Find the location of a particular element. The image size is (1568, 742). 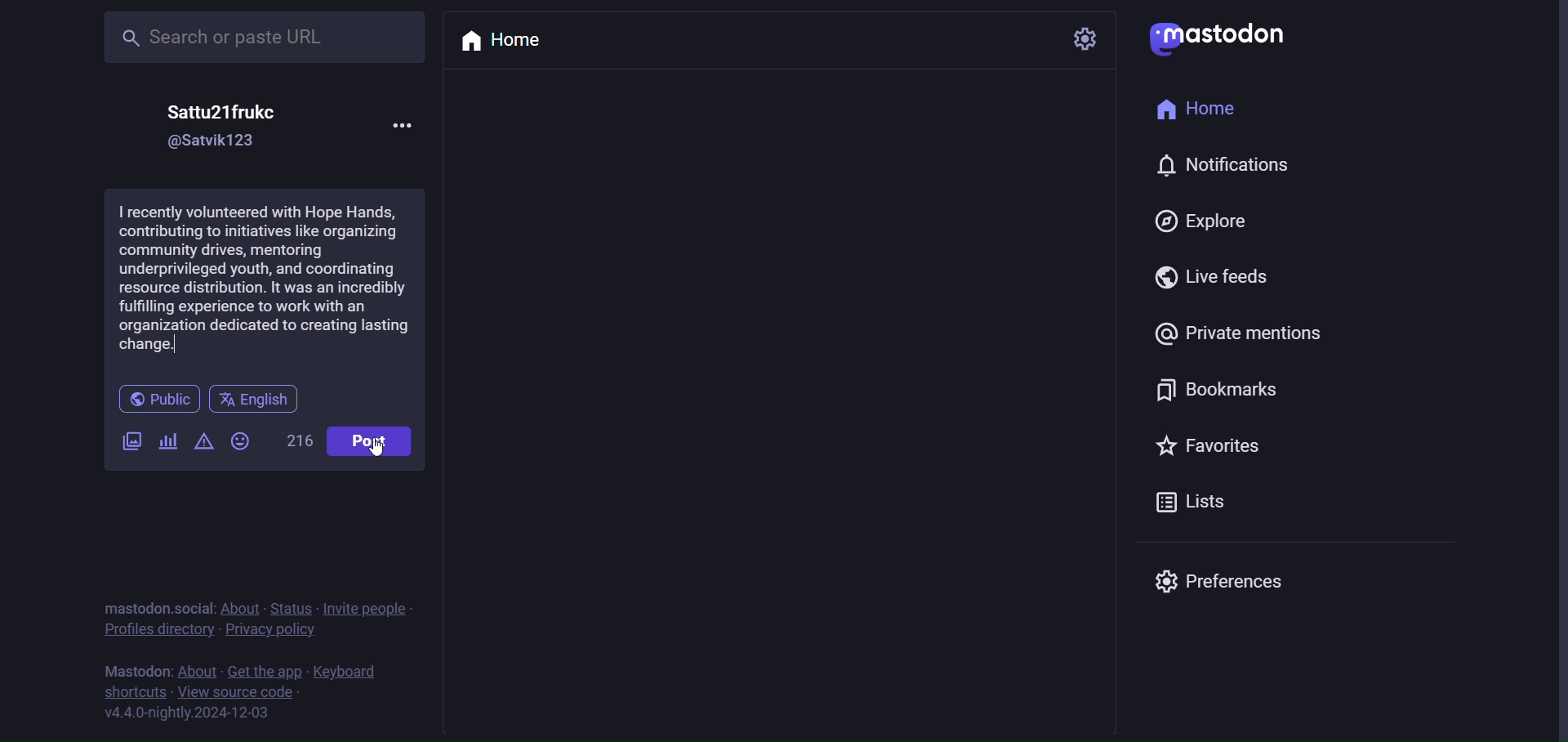

home is located at coordinates (500, 41).